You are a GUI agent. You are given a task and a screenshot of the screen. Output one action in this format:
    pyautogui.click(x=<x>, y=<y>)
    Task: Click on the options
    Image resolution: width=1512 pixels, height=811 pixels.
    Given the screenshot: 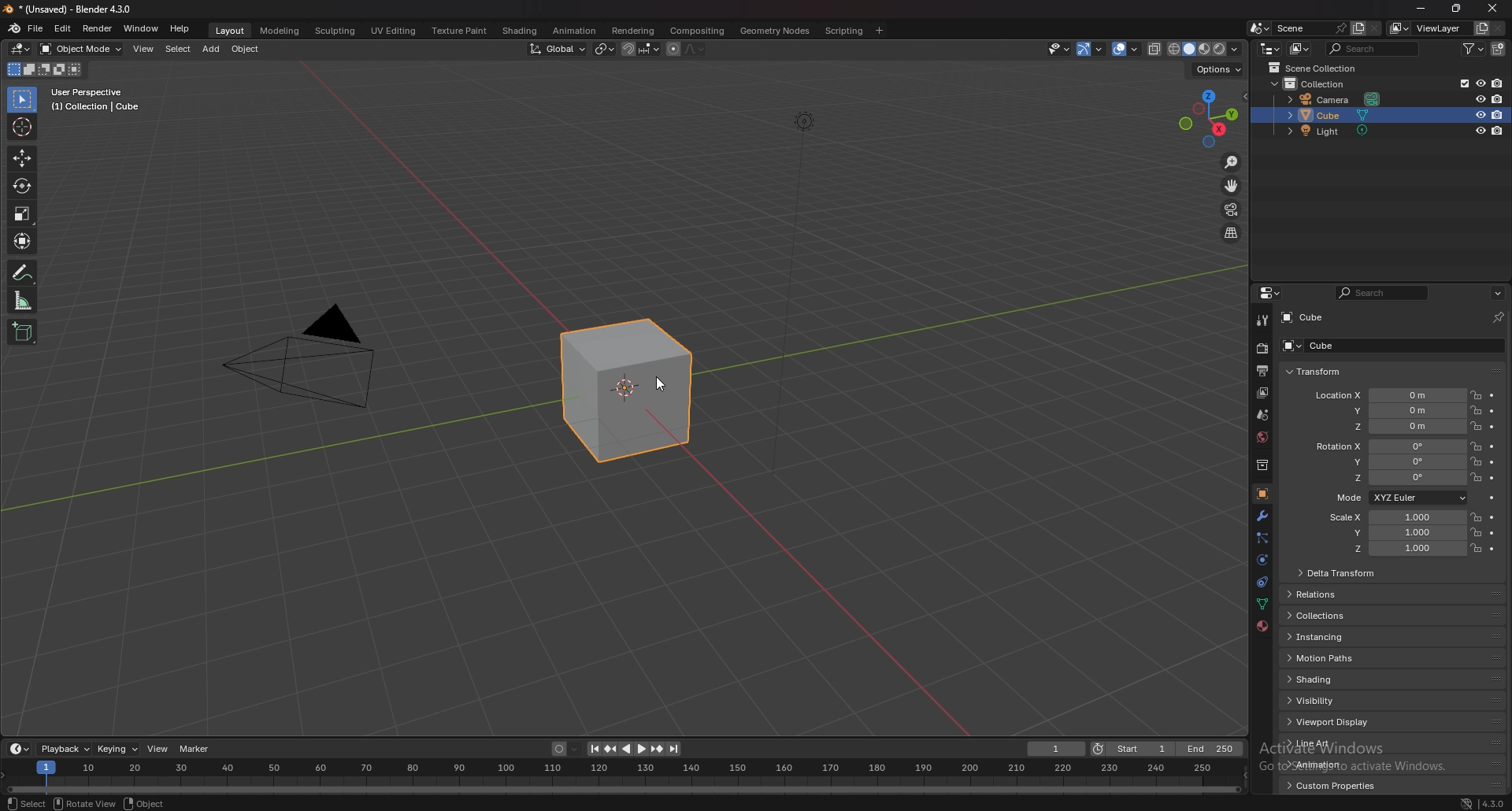 What is the action you would take?
    pyautogui.click(x=1497, y=292)
    